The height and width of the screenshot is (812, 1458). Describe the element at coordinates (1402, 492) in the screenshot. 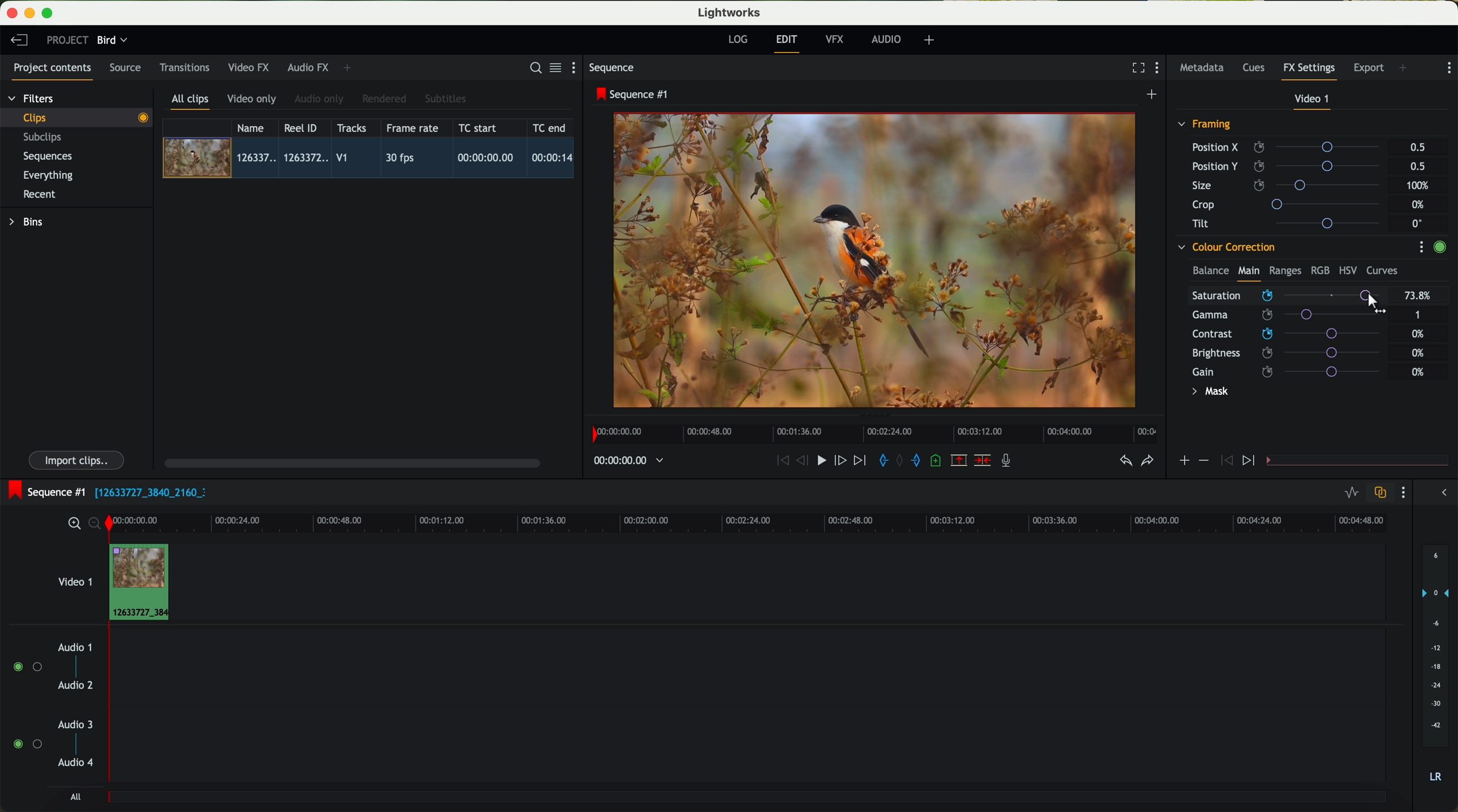

I see `show settings menu` at that location.